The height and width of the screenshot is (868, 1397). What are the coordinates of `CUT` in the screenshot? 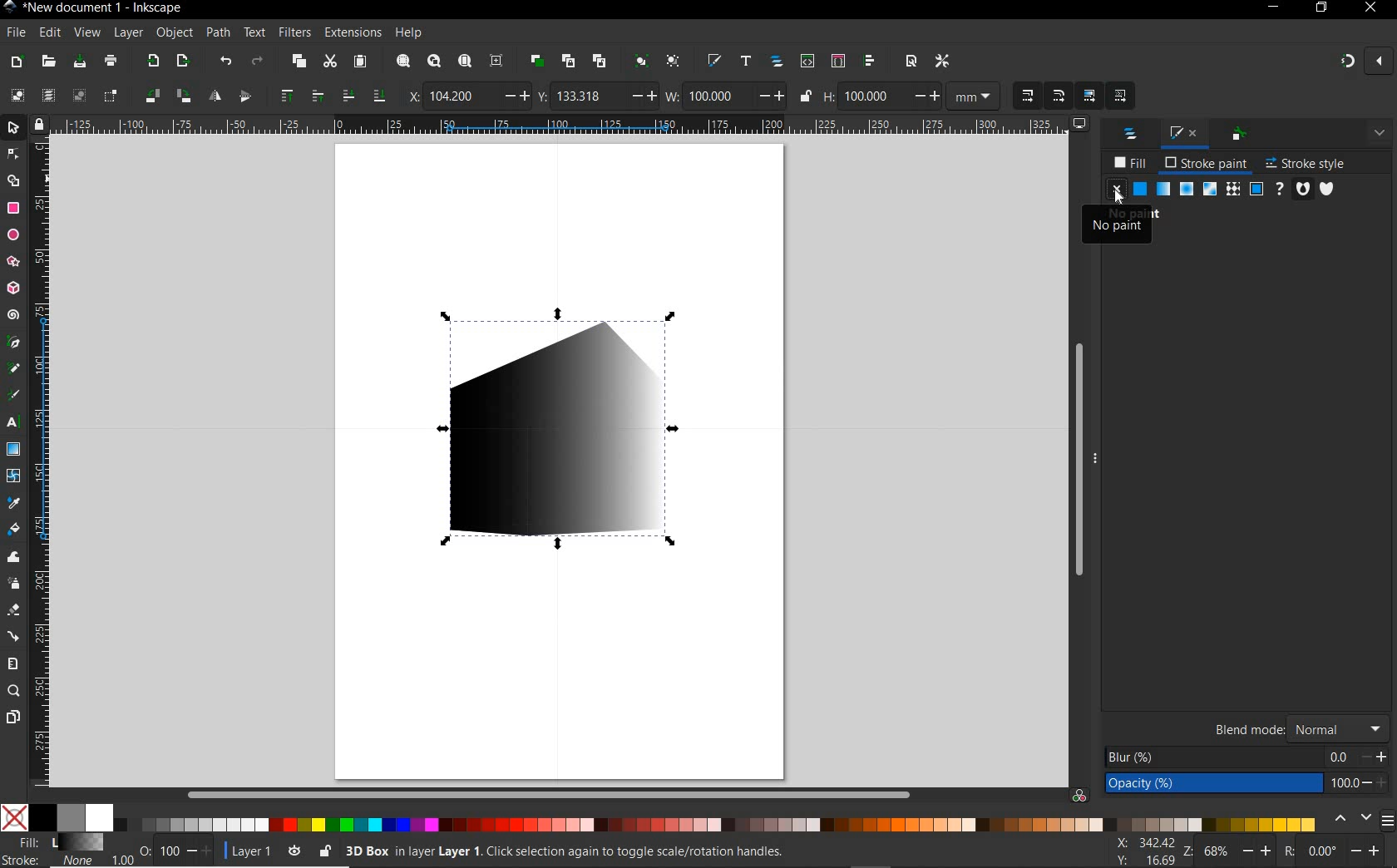 It's located at (330, 62).